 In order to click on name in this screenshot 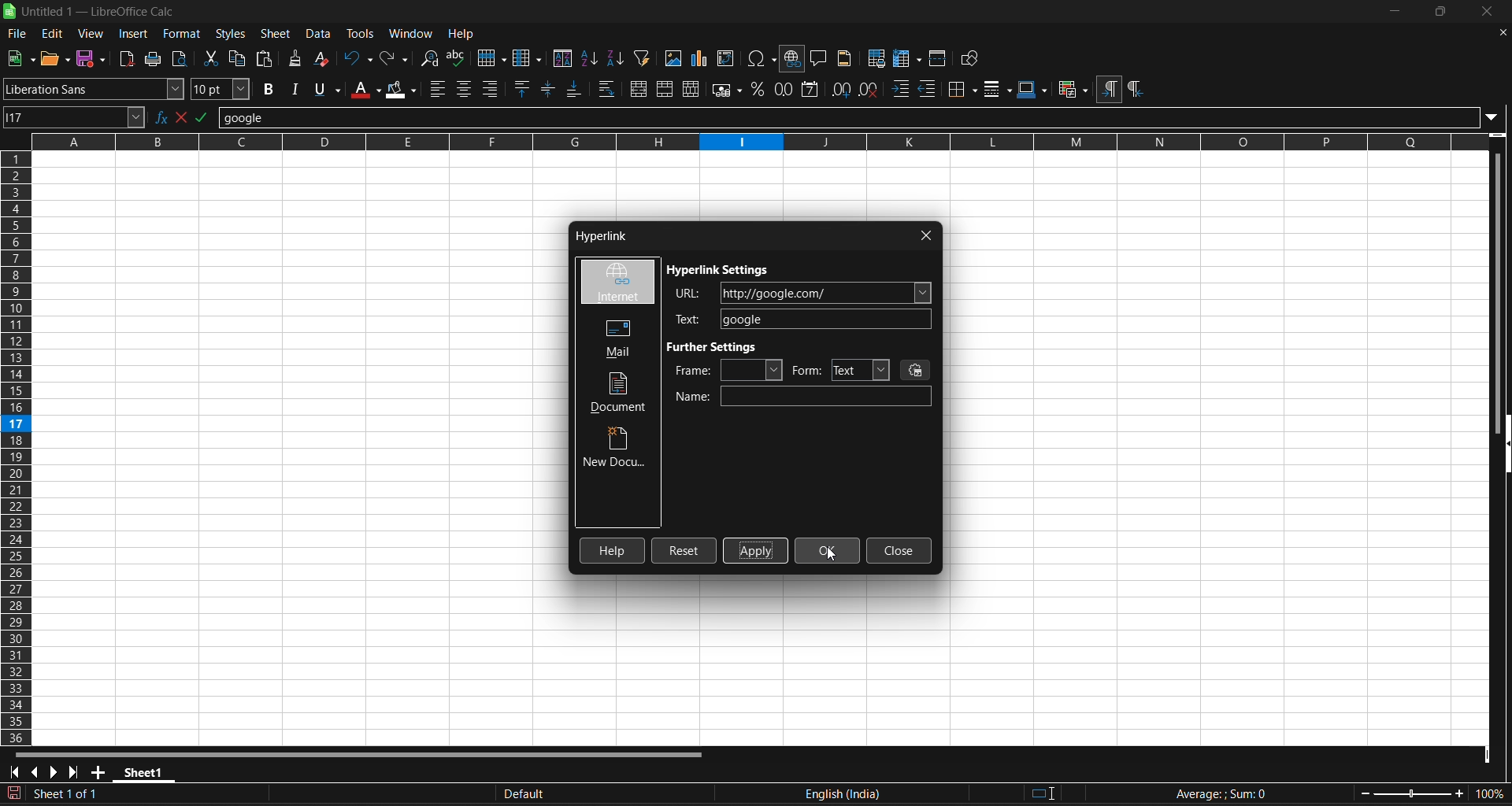, I will do `click(803, 397)`.